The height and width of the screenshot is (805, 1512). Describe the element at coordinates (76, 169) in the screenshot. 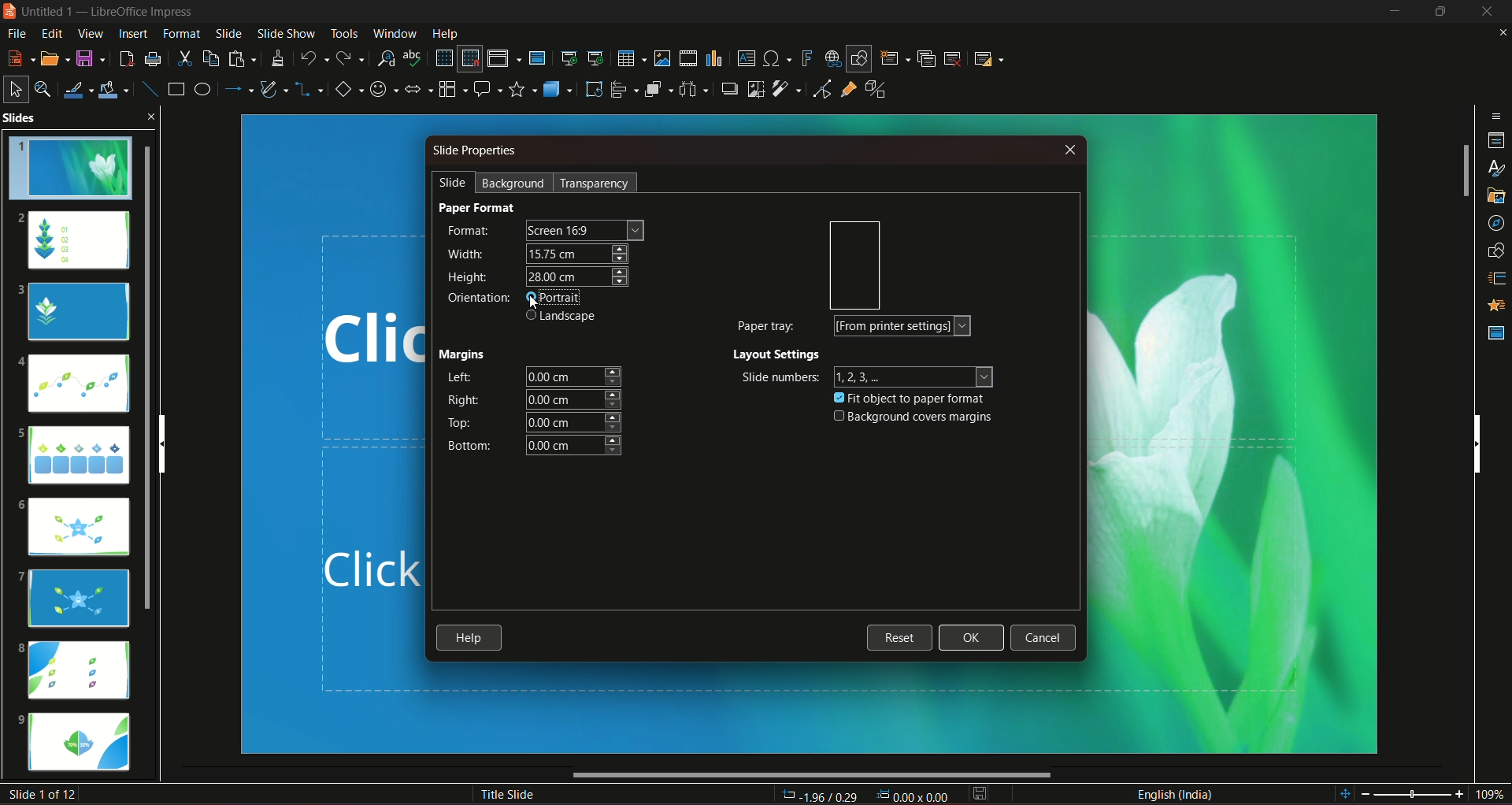

I see `slide 1` at that location.